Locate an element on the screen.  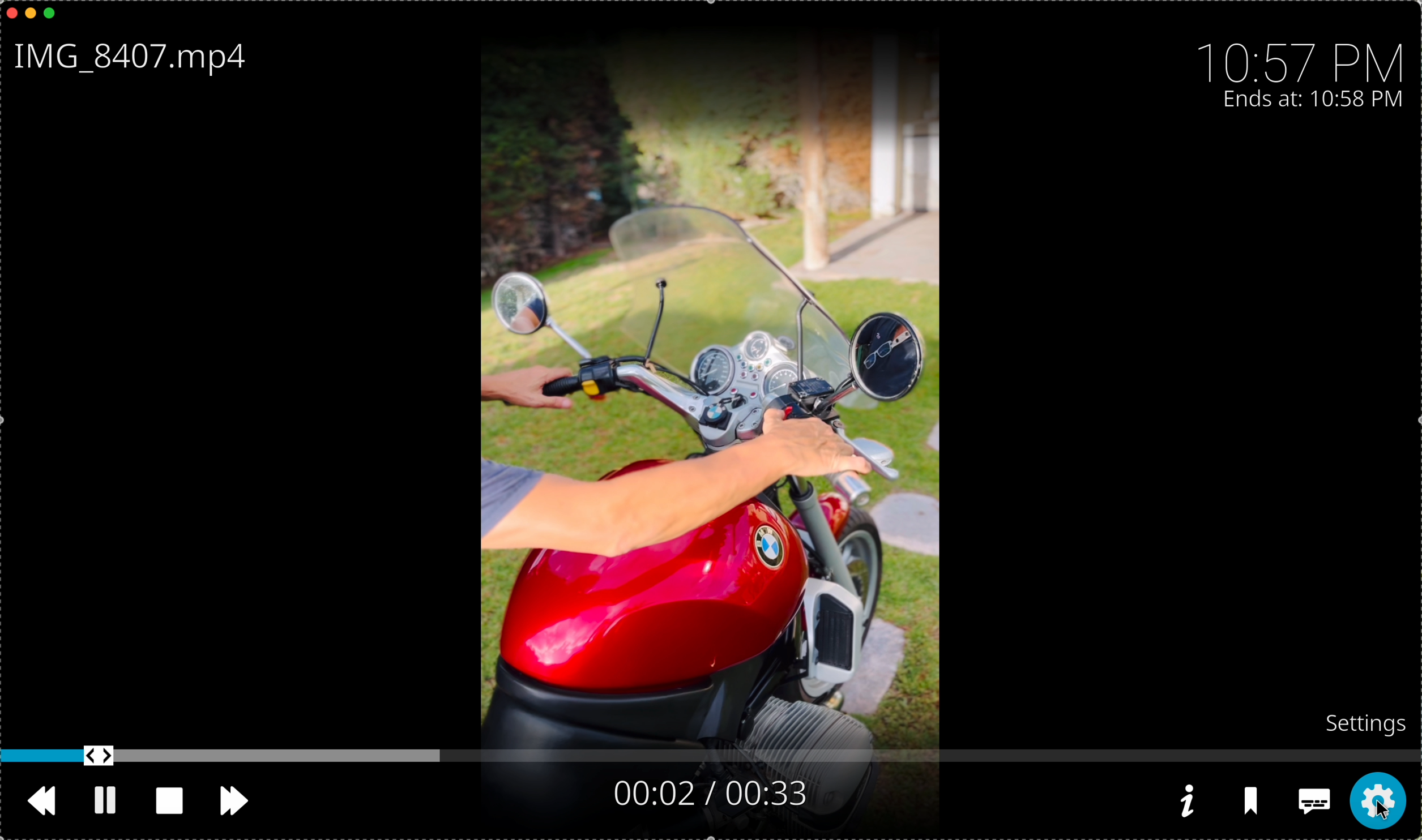
bookmarks is located at coordinates (1253, 803).